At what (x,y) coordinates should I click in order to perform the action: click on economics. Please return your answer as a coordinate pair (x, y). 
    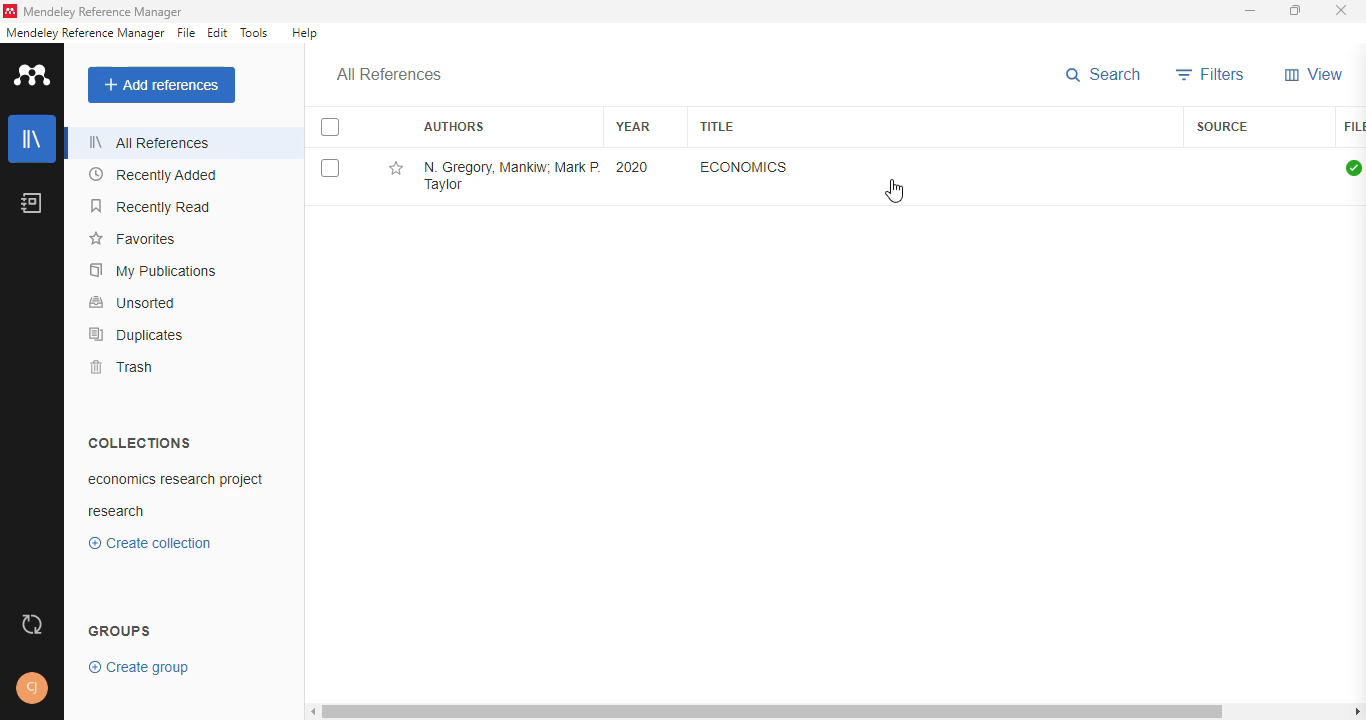
    Looking at the image, I should click on (744, 165).